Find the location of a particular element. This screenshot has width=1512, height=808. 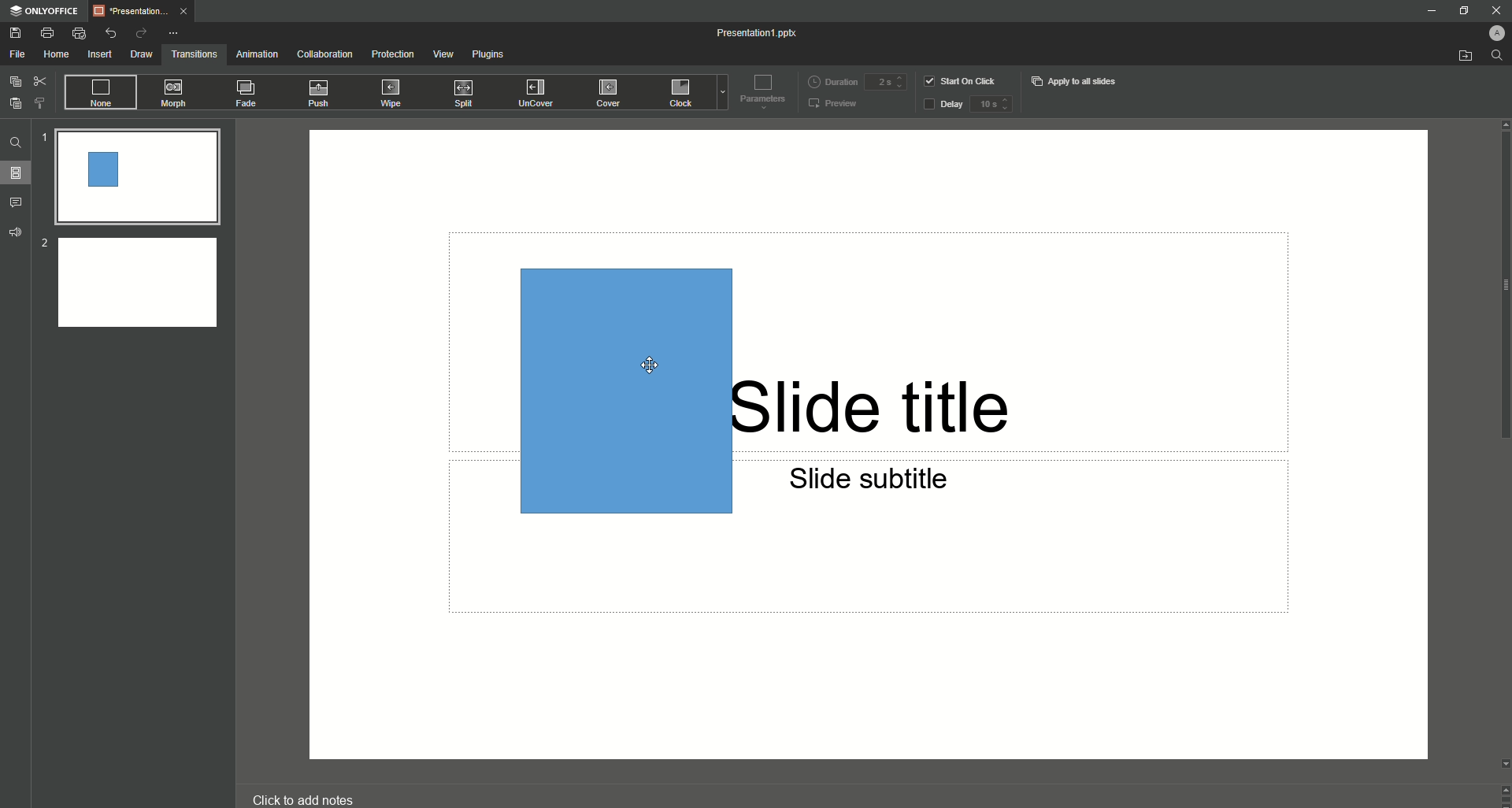

Comments is located at coordinates (20, 203).